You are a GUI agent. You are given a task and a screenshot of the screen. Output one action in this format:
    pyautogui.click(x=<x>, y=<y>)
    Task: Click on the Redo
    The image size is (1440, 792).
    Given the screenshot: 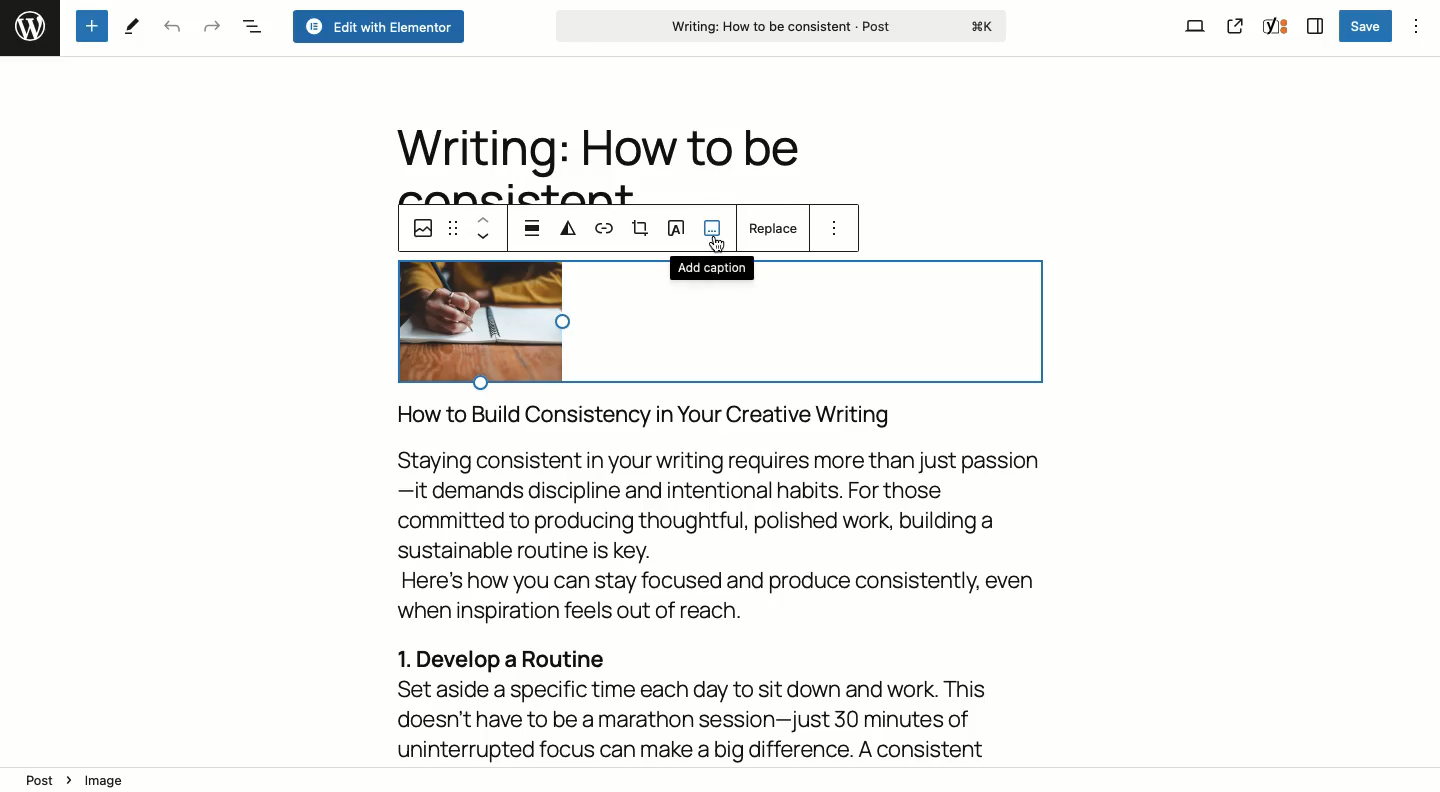 What is the action you would take?
    pyautogui.click(x=209, y=25)
    